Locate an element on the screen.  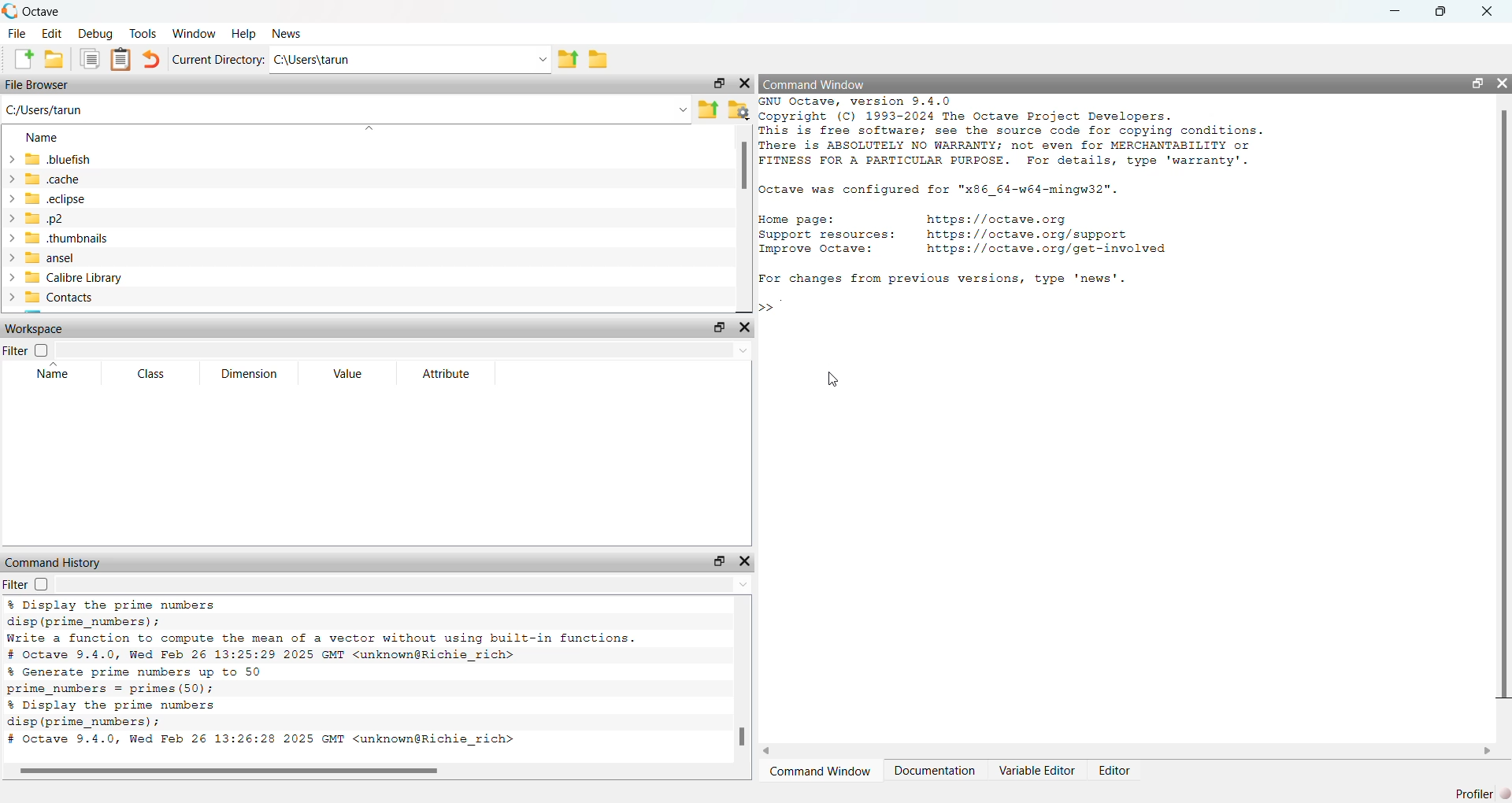
Contacts is located at coordinates (61, 298).